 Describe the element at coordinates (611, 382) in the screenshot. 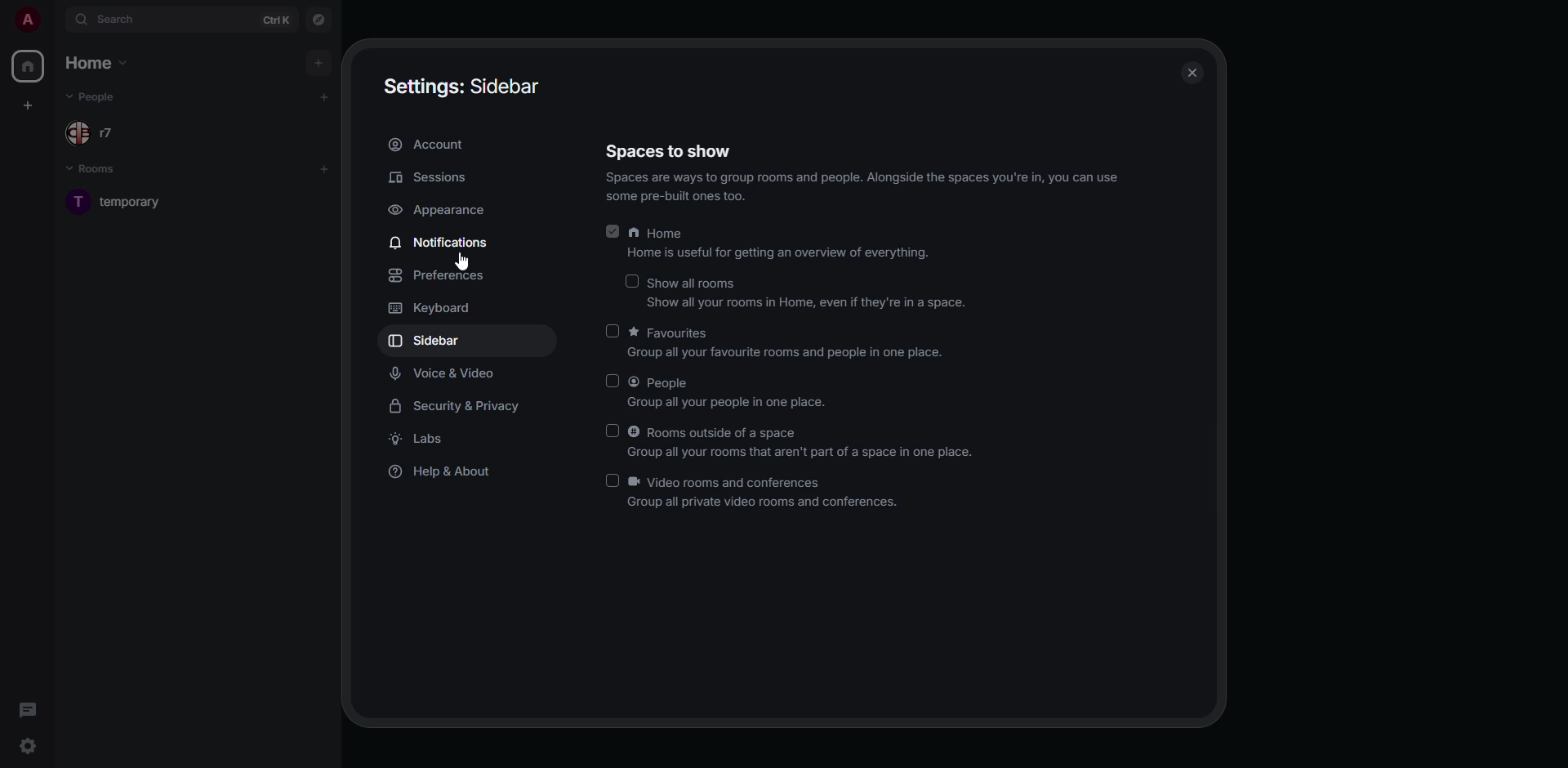

I see `click to enable` at that location.